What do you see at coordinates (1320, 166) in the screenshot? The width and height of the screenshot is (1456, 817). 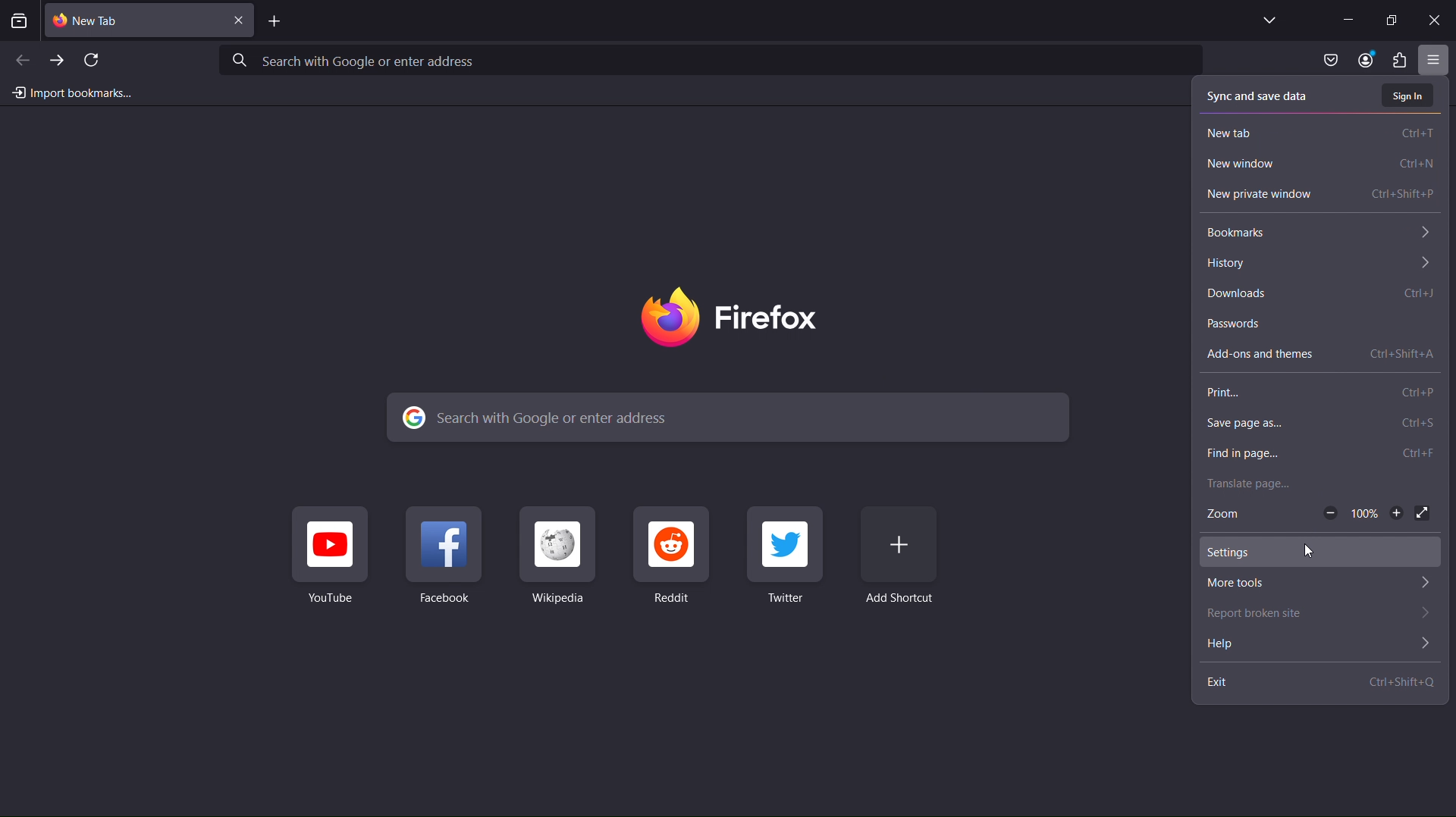 I see `New Window` at bounding box center [1320, 166].